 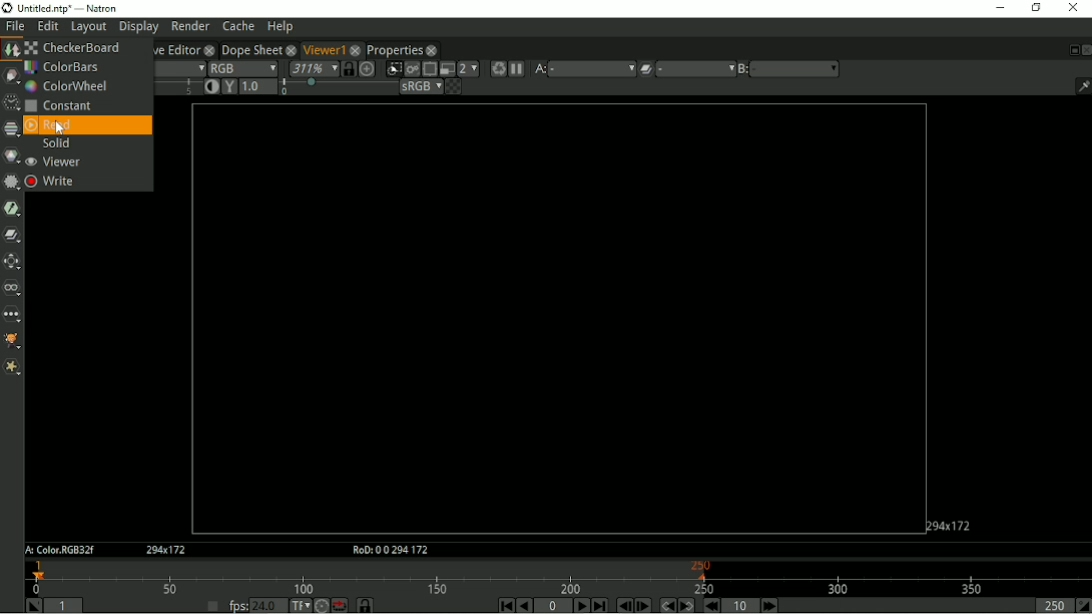 What do you see at coordinates (12, 209) in the screenshot?
I see `Keyer` at bounding box center [12, 209].